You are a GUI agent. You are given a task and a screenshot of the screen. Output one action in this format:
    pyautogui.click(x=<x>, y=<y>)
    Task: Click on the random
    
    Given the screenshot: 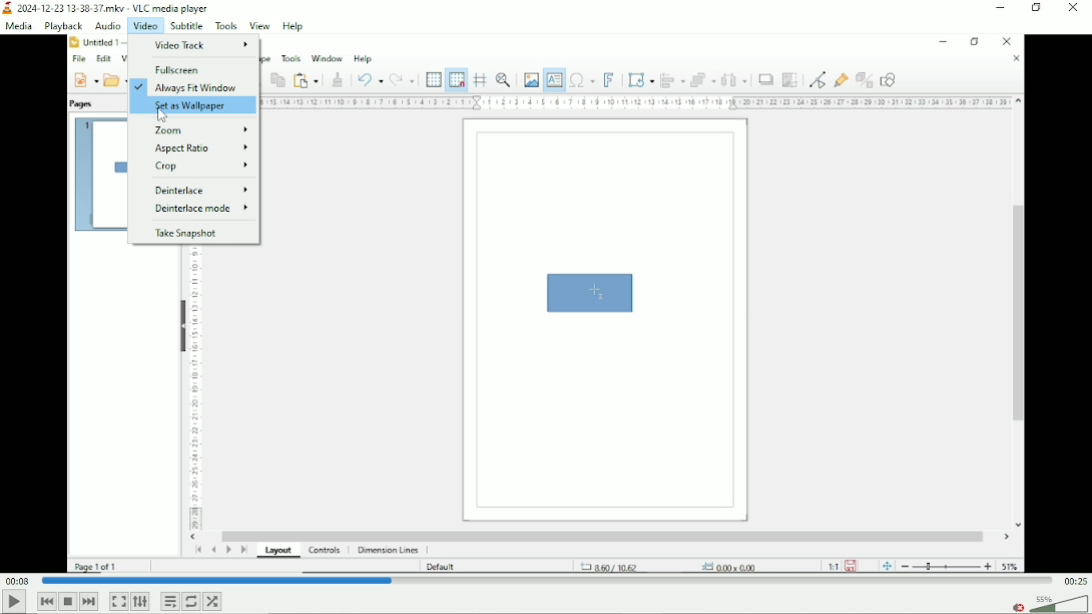 What is the action you would take?
    pyautogui.click(x=213, y=601)
    